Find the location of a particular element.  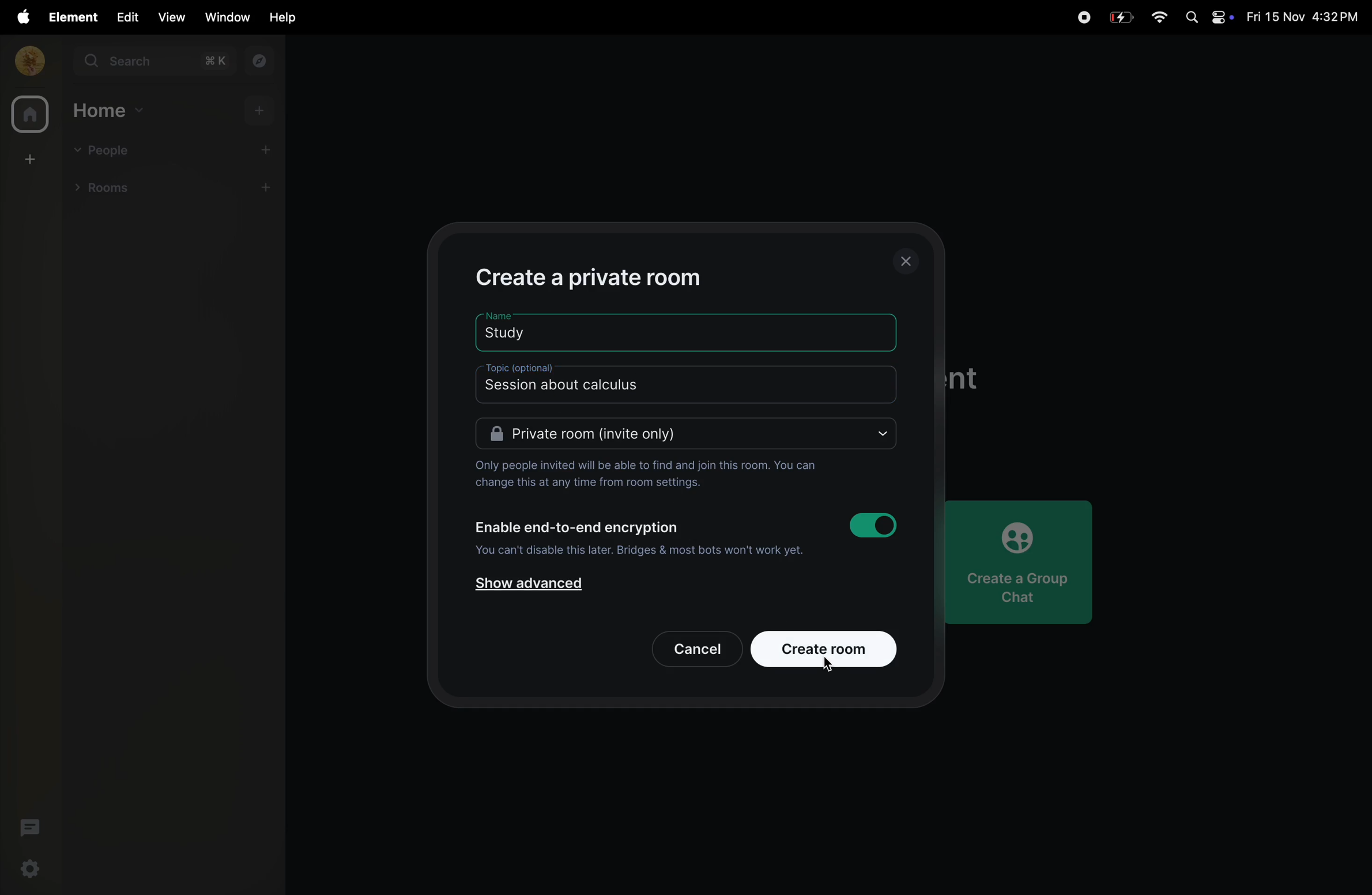

closing is located at coordinates (909, 260).